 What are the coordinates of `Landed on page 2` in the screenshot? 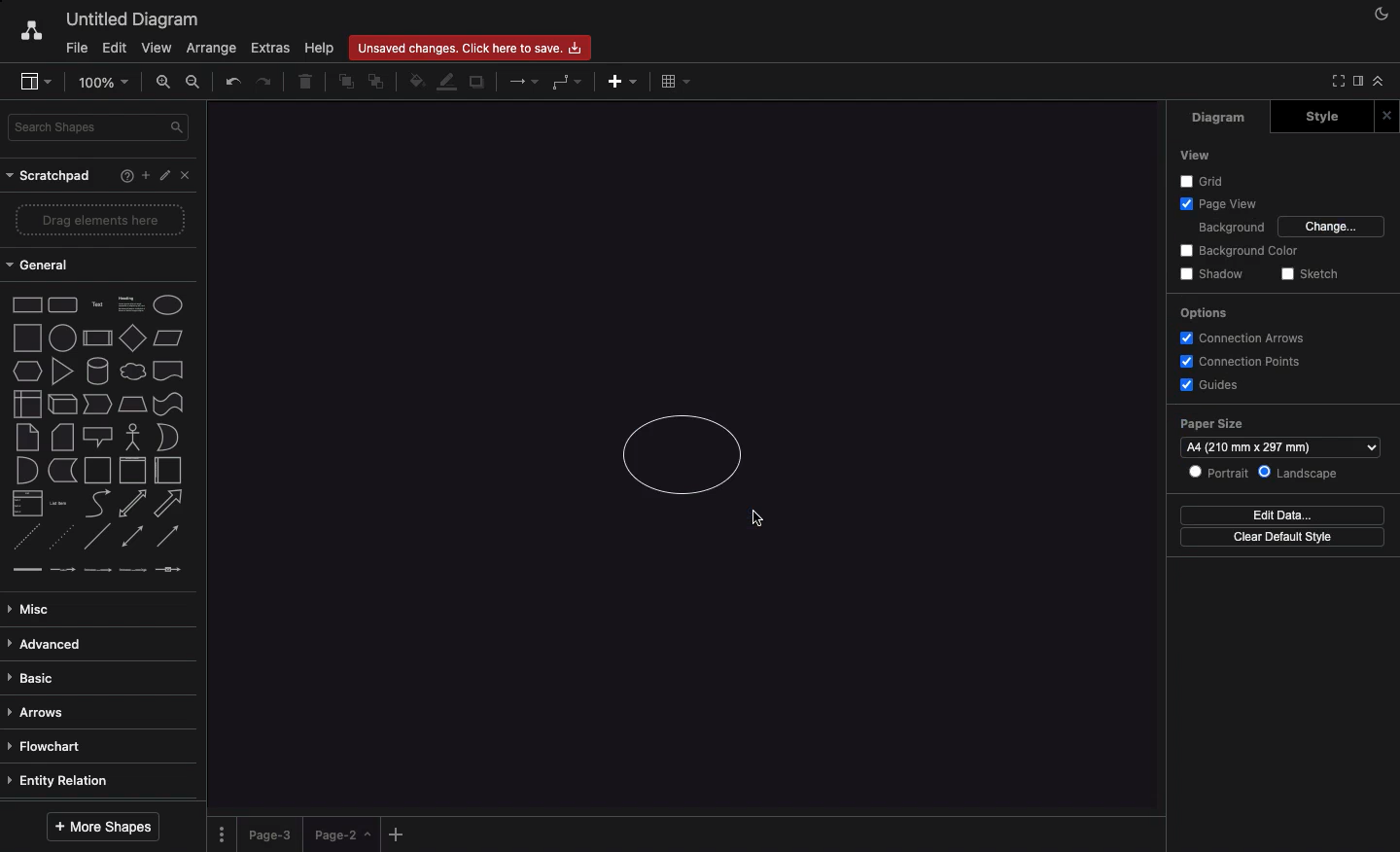 It's located at (344, 833).